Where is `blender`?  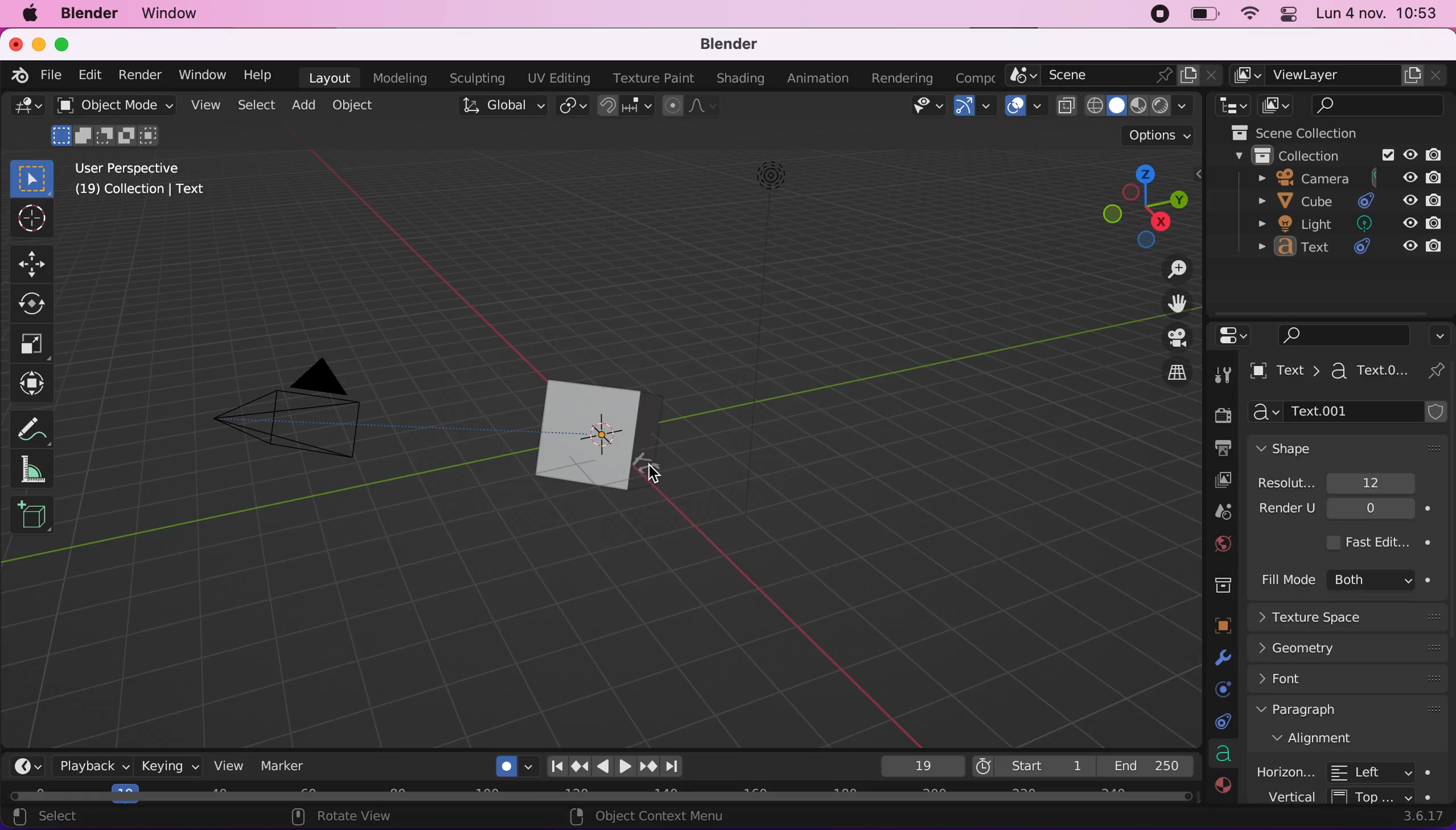 blender is located at coordinates (18, 76).